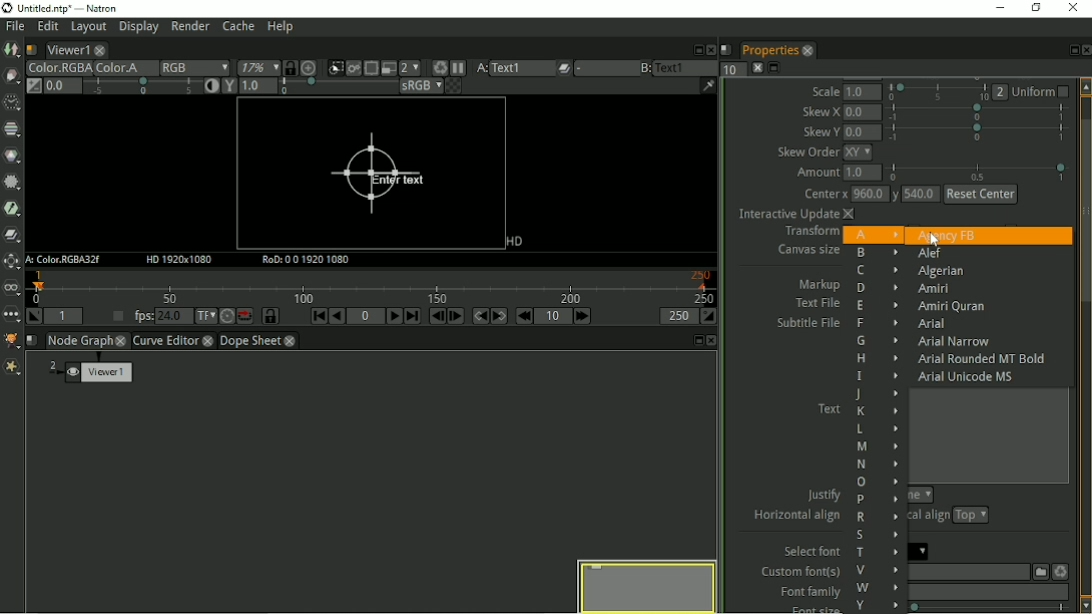  Describe the element at coordinates (1085, 50) in the screenshot. I see `Close` at that location.